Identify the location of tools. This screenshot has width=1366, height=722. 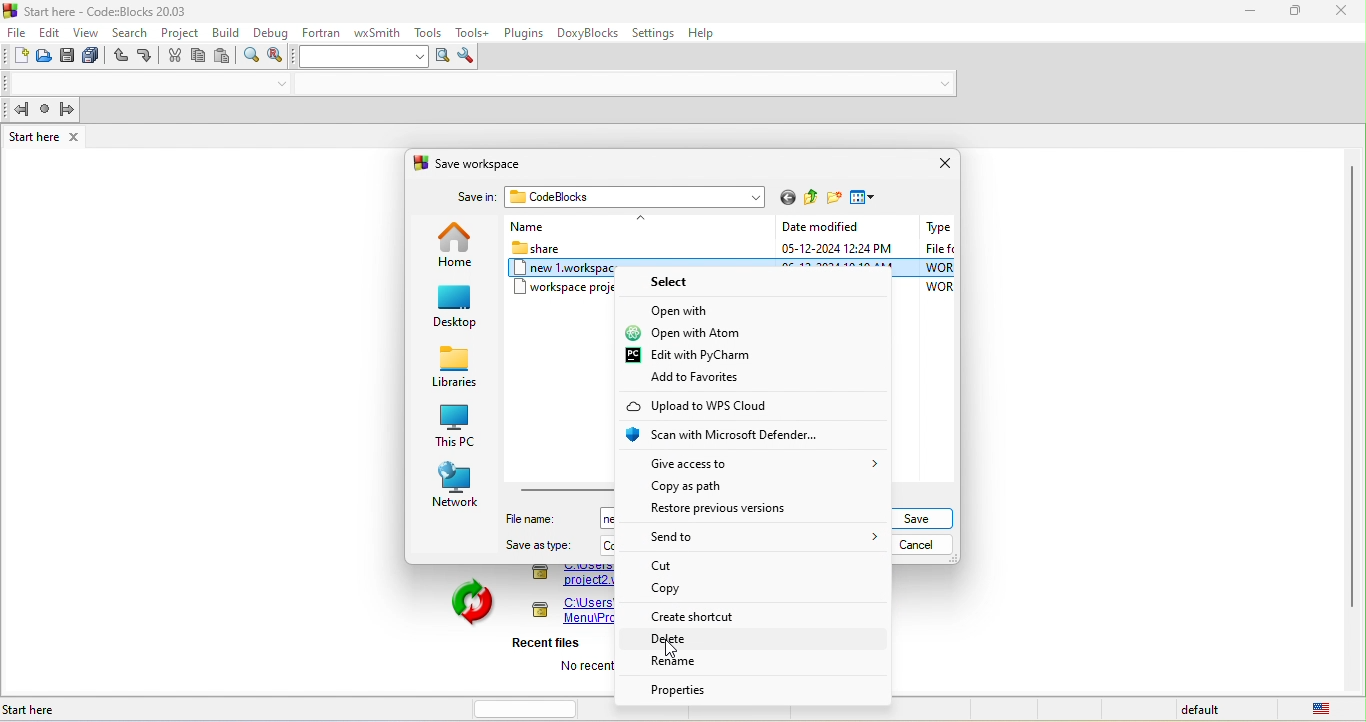
(430, 32).